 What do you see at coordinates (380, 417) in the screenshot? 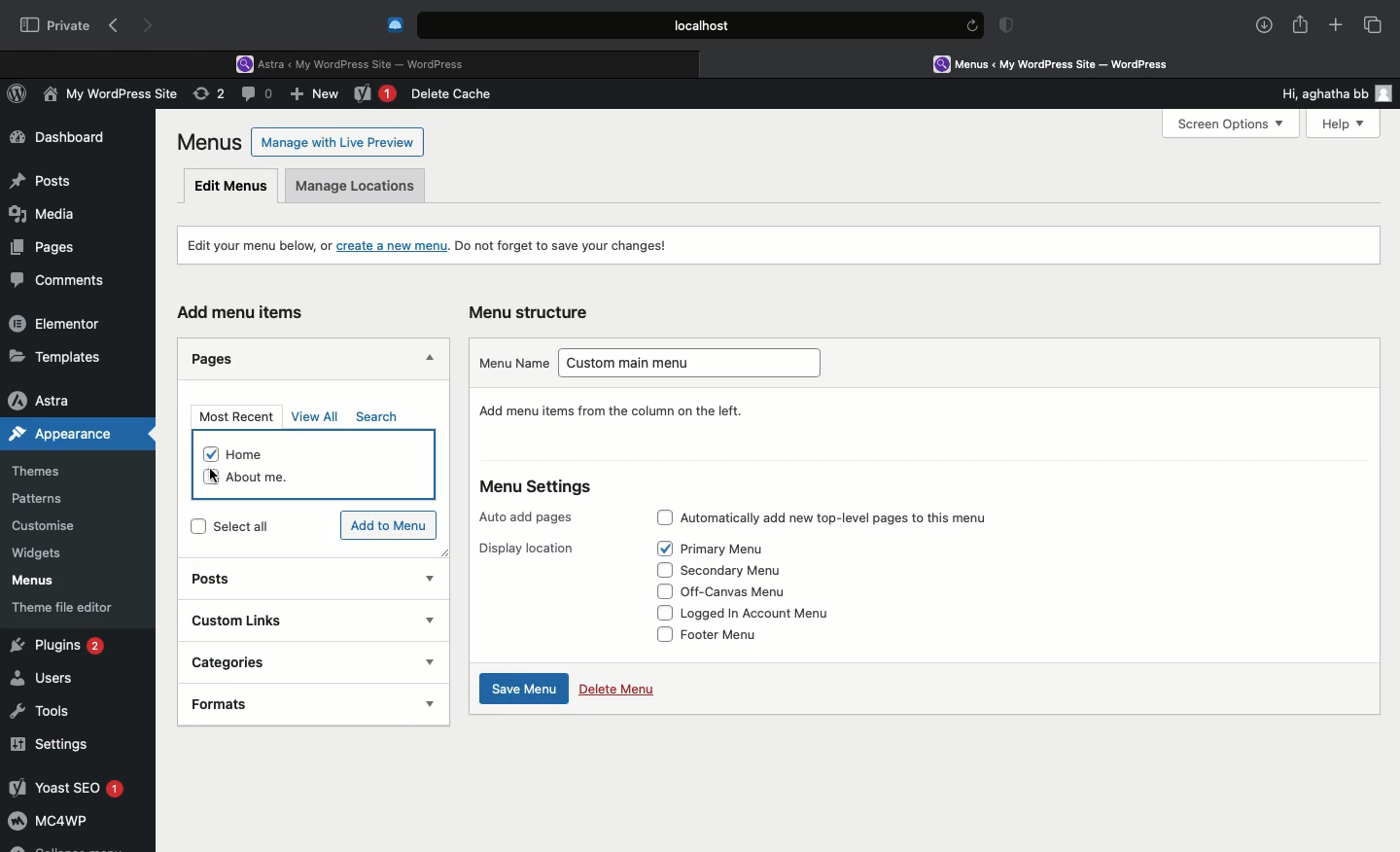
I see `Search` at bounding box center [380, 417].